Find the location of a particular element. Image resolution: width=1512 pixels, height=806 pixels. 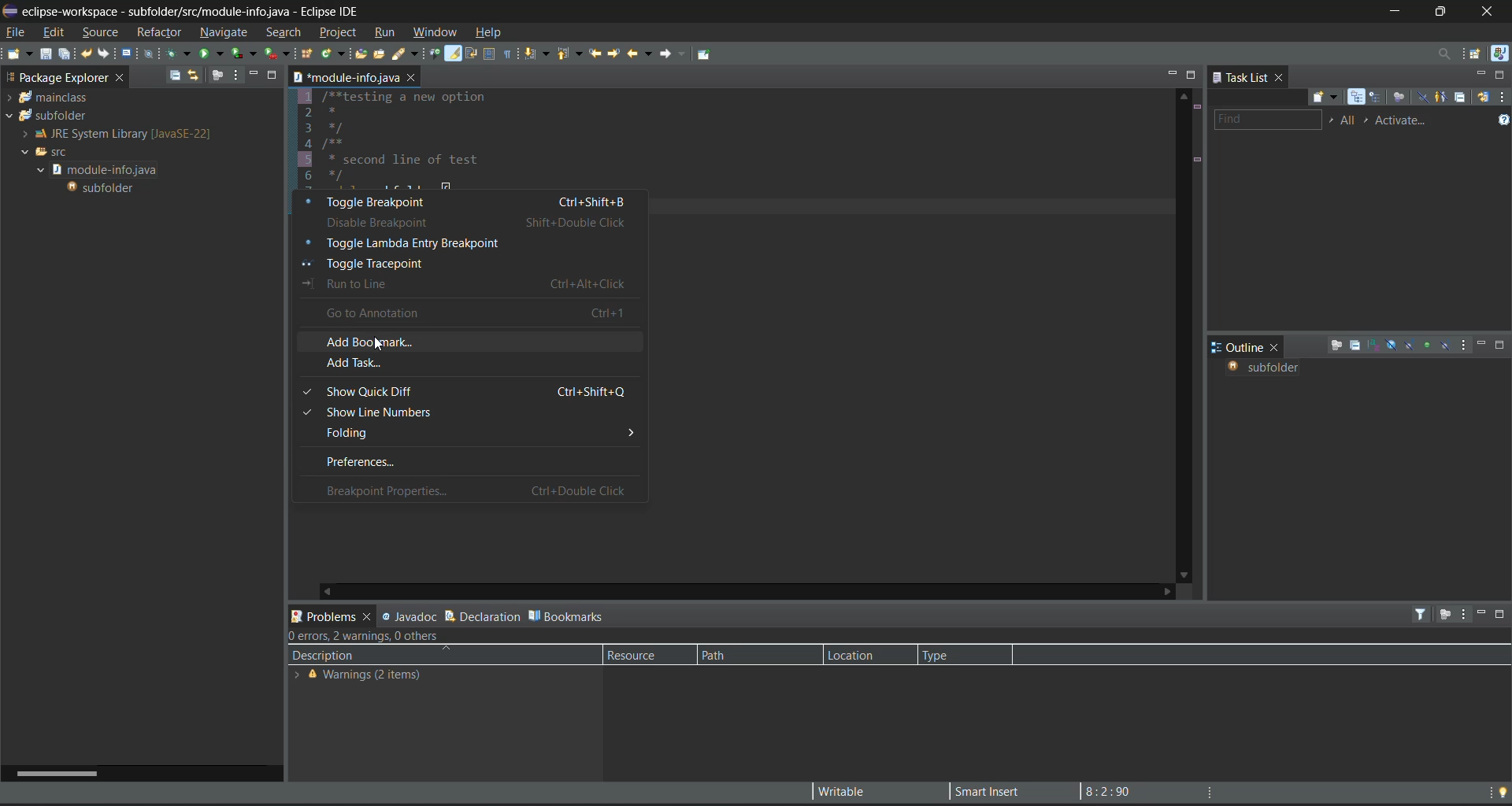

help is located at coordinates (491, 31).